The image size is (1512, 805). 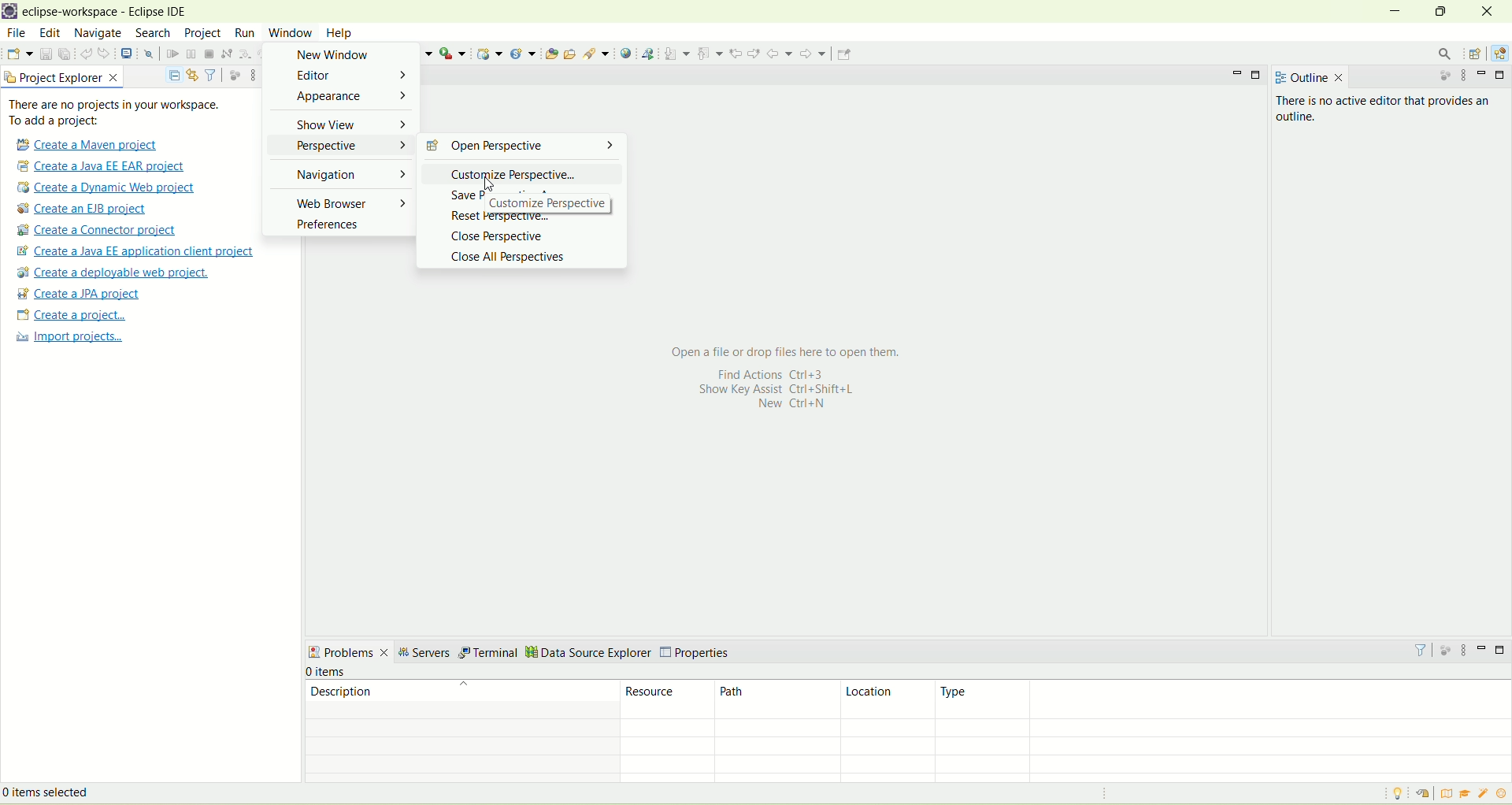 I want to click on close, so click(x=1484, y=10).